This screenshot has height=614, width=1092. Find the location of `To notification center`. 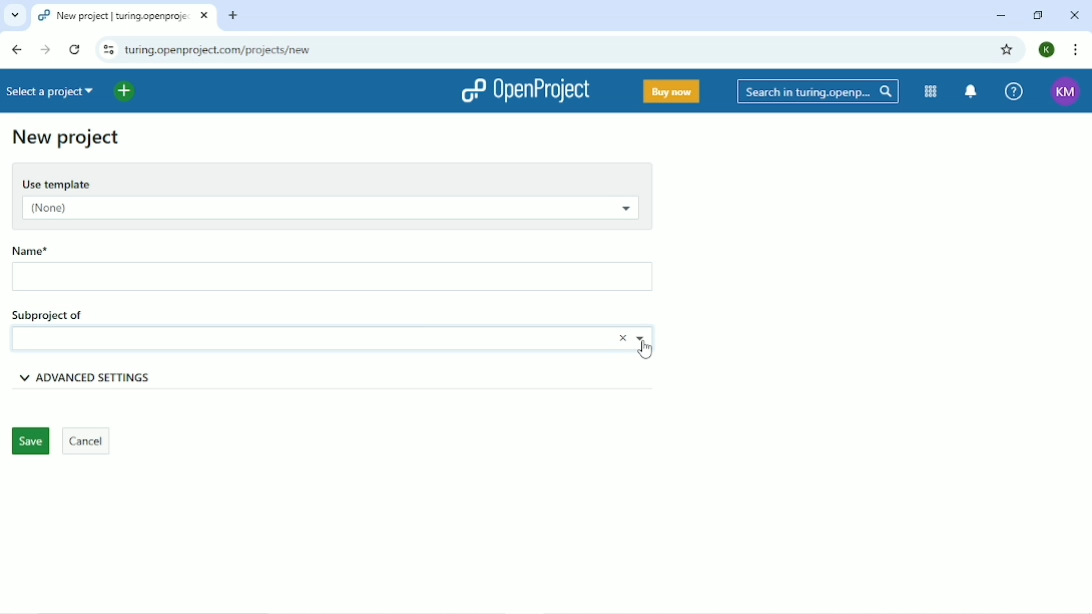

To notification center is located at coordinates (972, 91).